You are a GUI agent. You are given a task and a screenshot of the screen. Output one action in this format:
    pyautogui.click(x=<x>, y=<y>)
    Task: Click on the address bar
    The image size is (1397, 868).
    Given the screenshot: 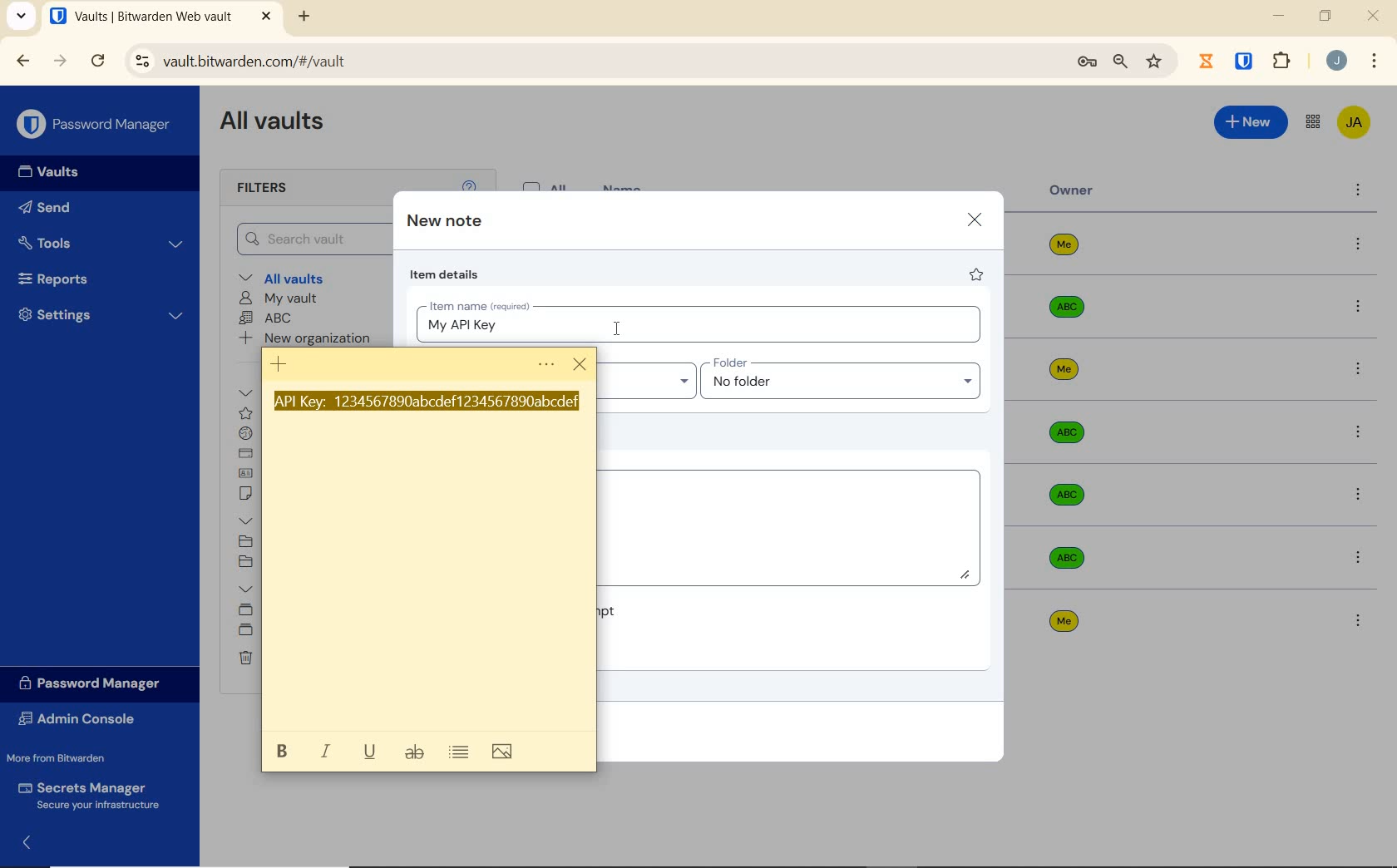 What is the action you would take?
    pyautogui.click(x=589, y=61)
    